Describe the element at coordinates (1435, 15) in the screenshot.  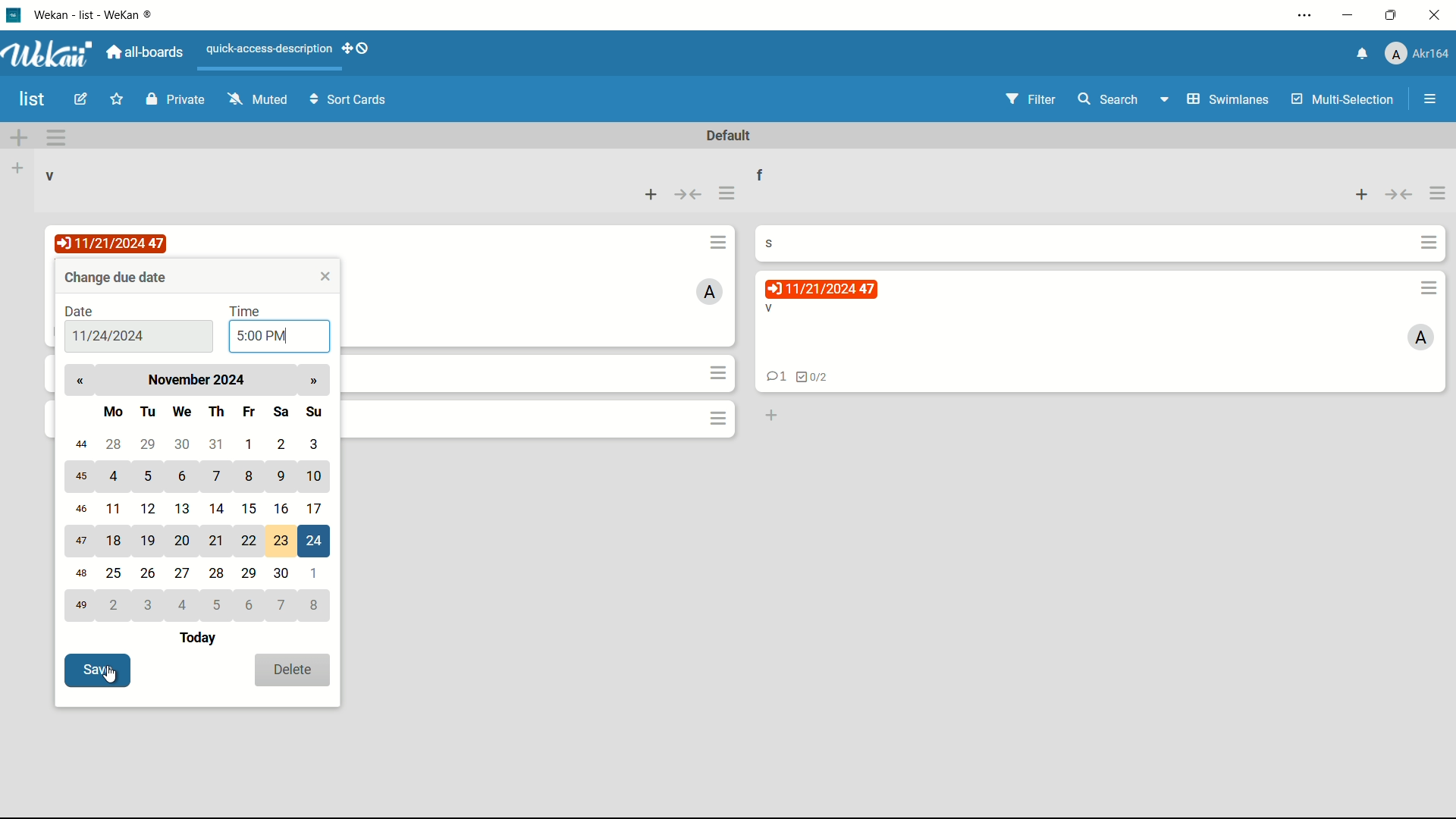
I see `close app` at that location.